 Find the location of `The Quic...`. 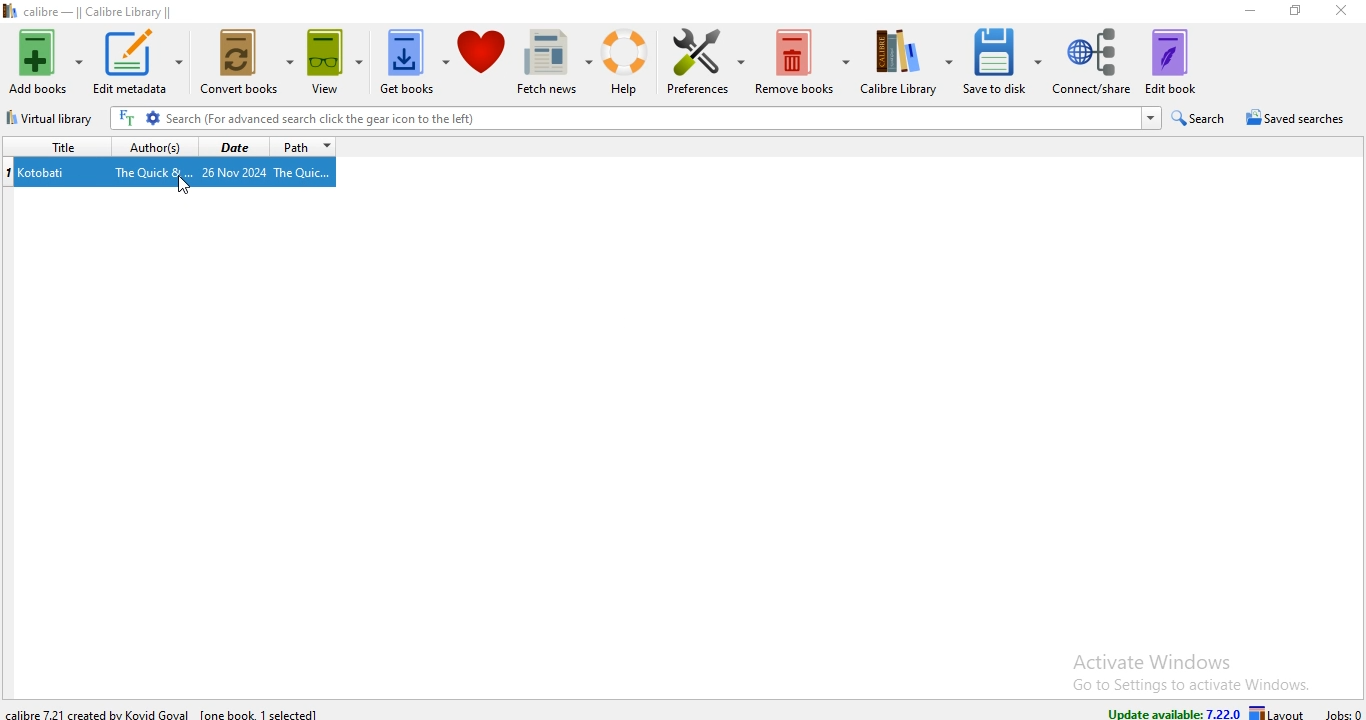

The Quic... is located at coordinates (305, 172).